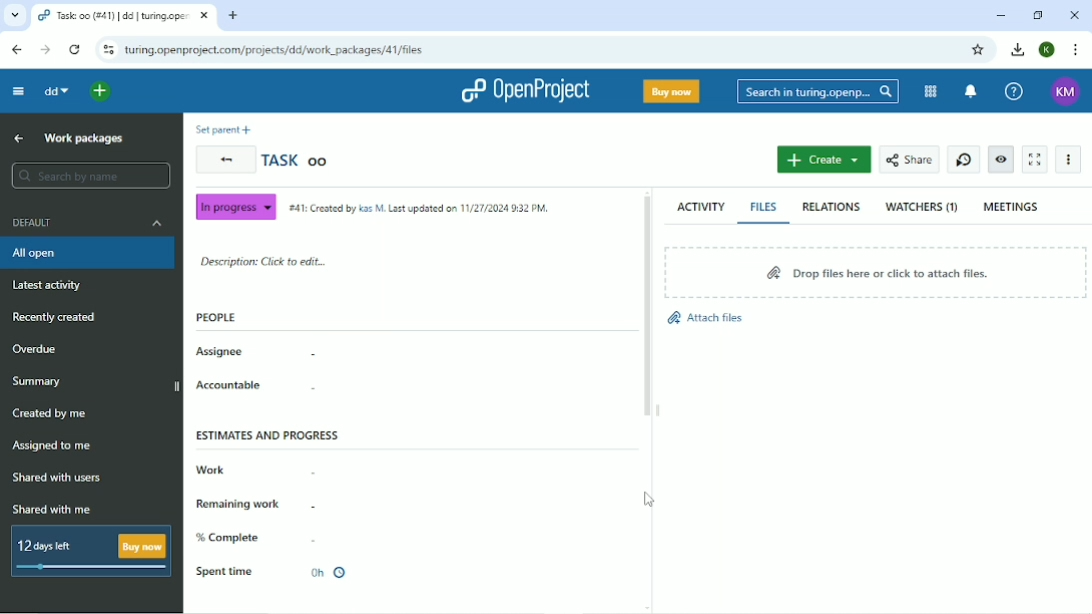  I want to click on Reload this page, so click(74, 50).